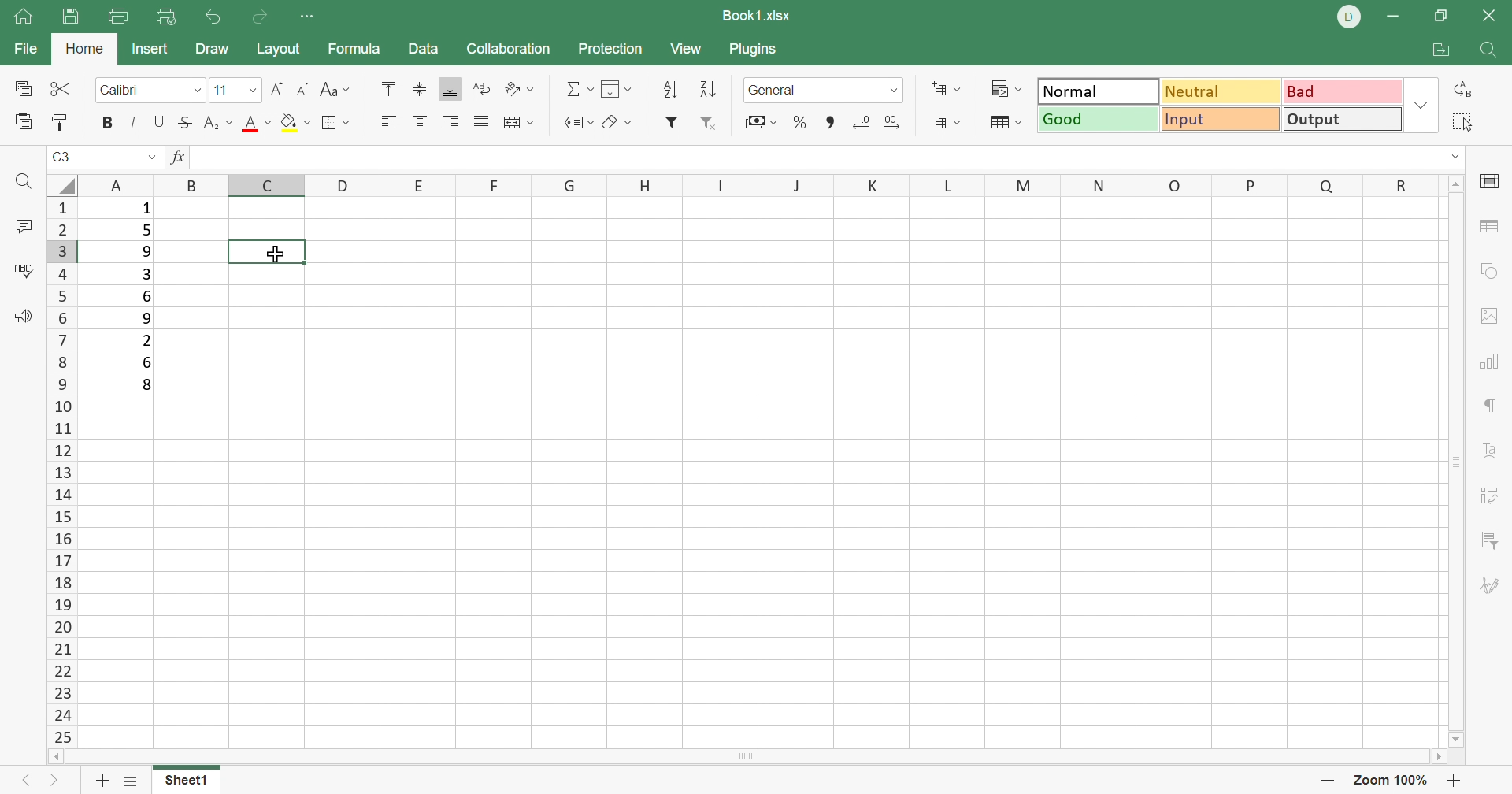  I want to click on Find, so click(29, 182).